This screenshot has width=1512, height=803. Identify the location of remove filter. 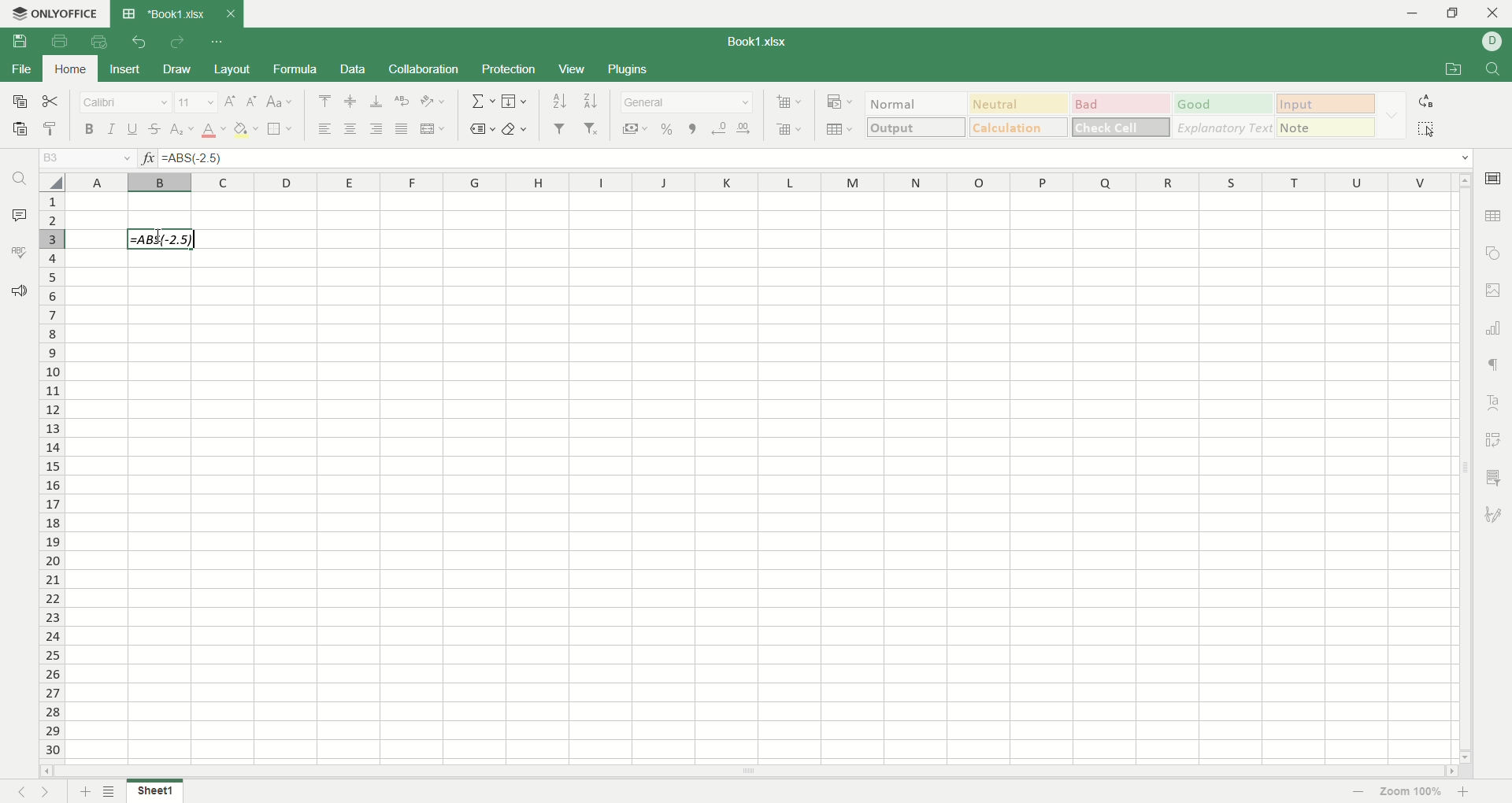
(592, 128).